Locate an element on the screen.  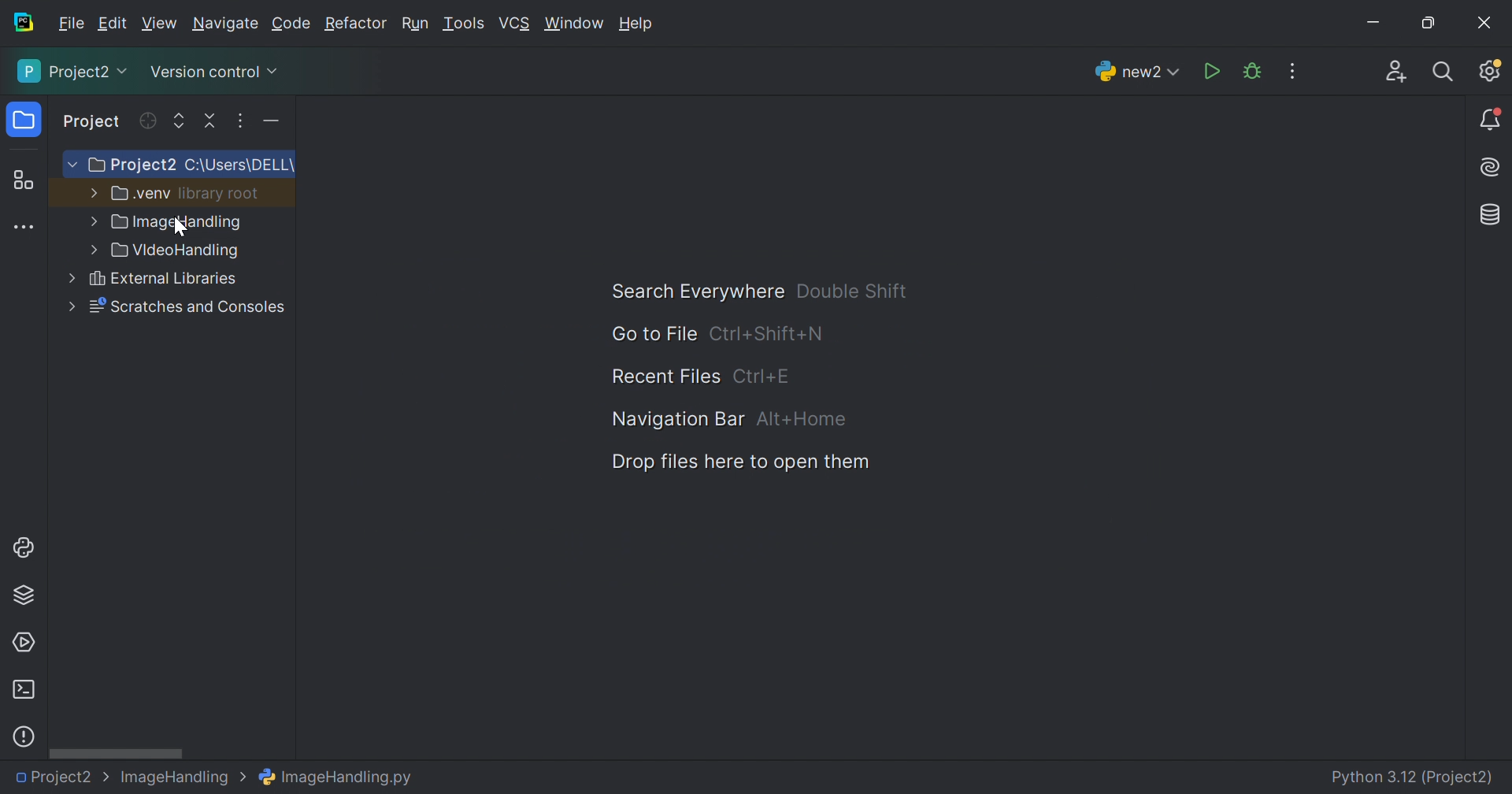
Refresh is located at coordinates (146, 121).